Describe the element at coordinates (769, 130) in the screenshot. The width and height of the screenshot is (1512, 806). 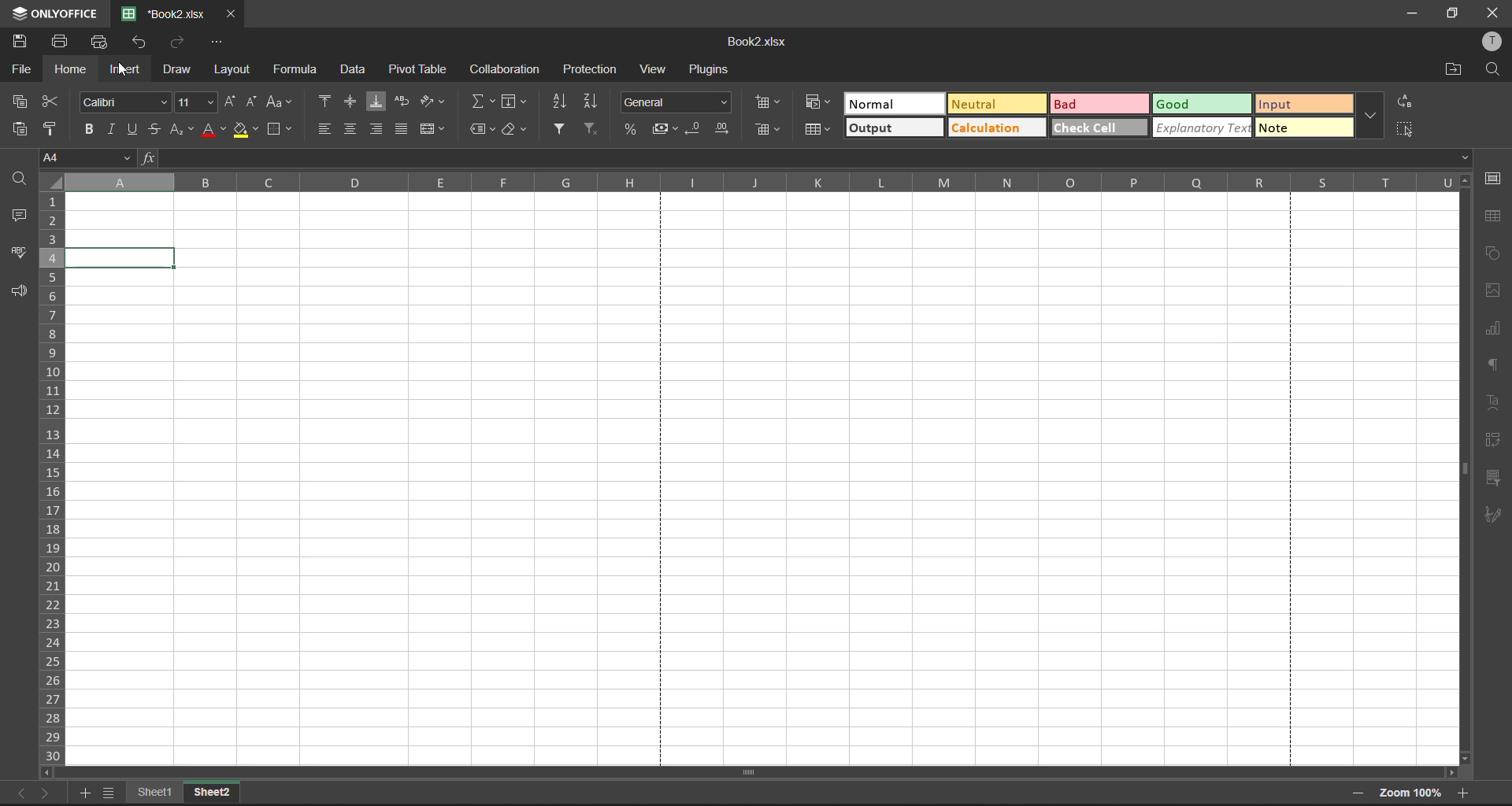
I see `remove cells` at that location.